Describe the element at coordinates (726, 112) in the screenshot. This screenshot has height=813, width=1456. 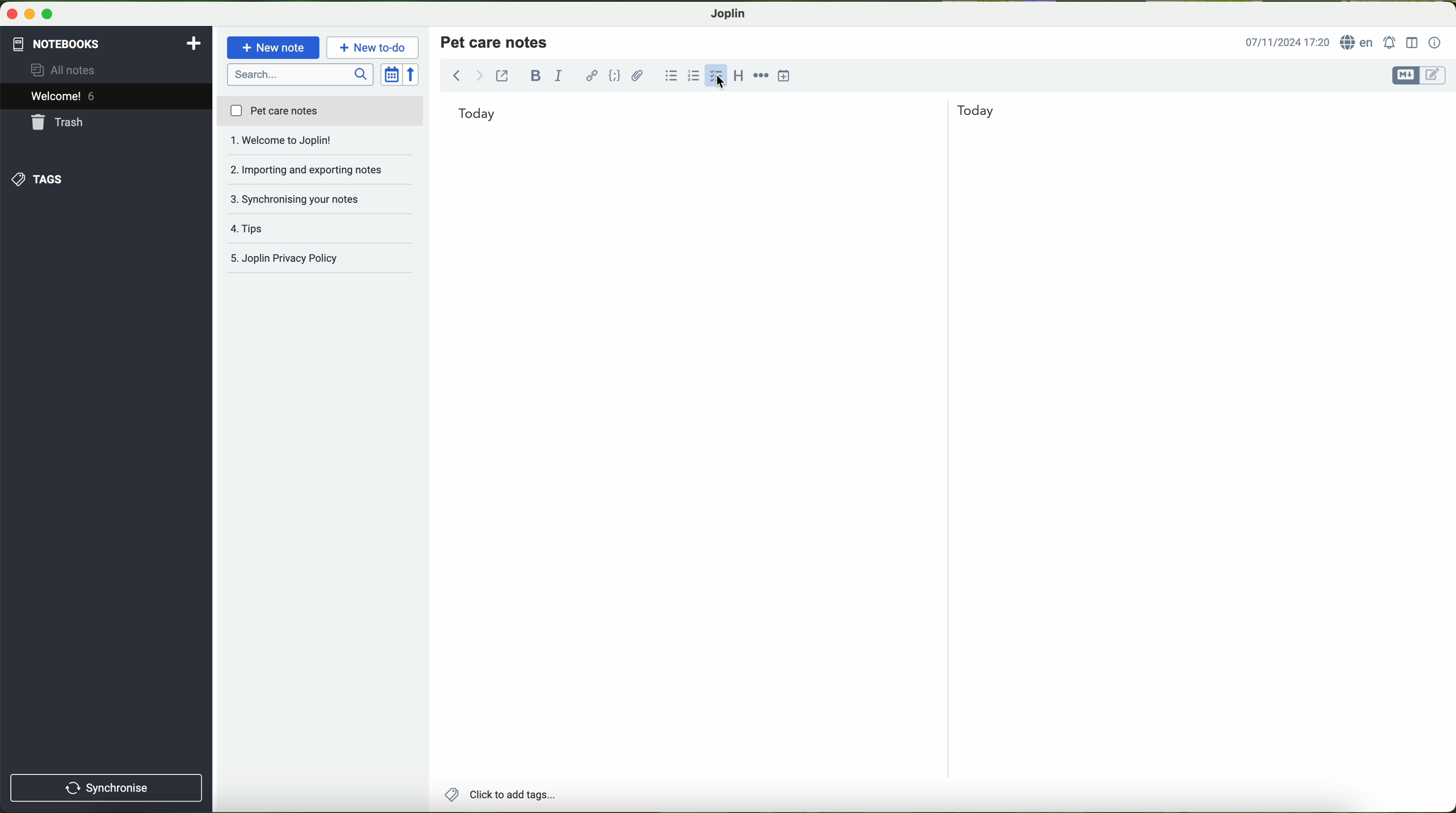
I see `today` at that location.